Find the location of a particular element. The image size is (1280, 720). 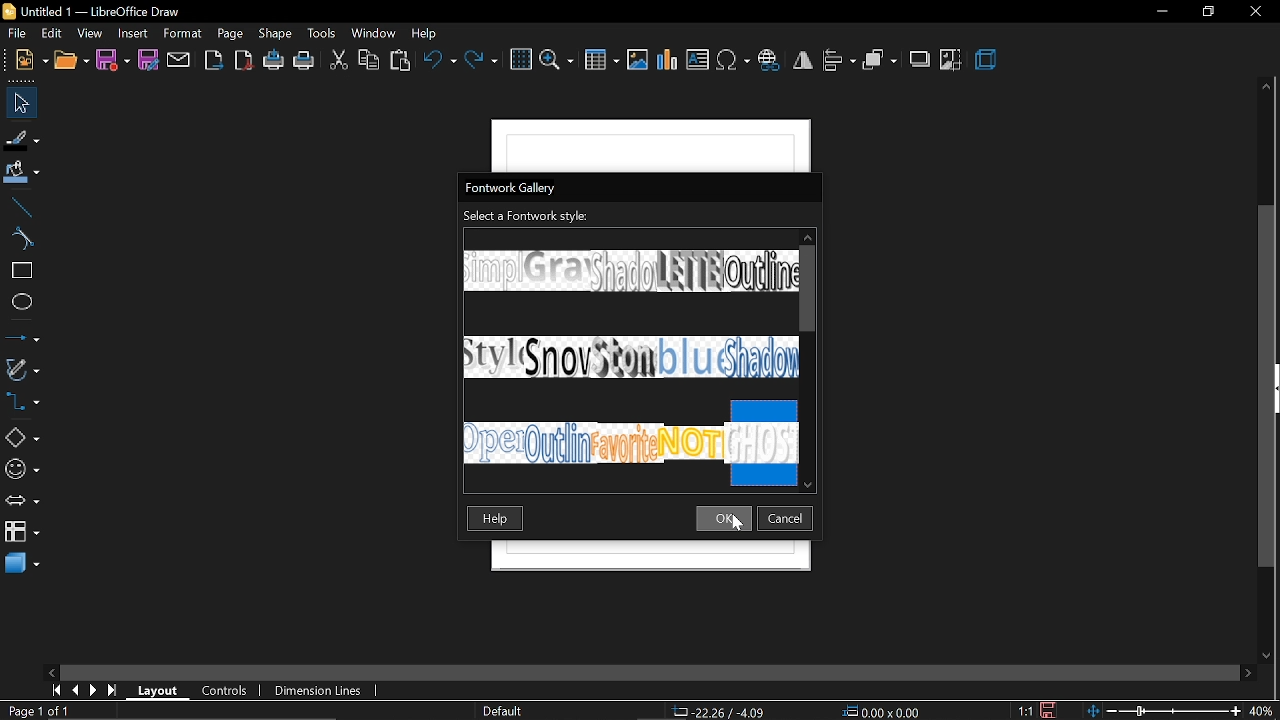

cut  is located at coordinates (338, 61).